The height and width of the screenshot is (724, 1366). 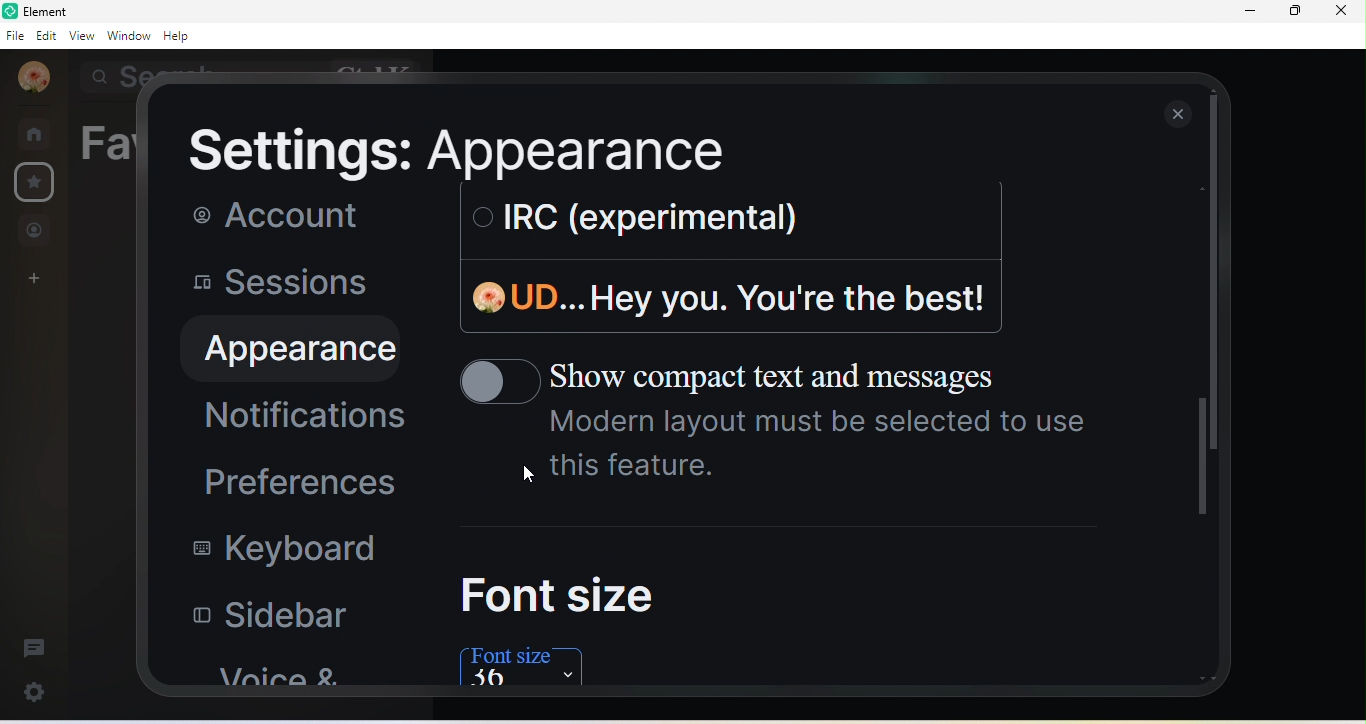 What do you see at coordinates (1250, 12) in the screenshot?
I see `minimize` at bounding box center [1250, 12].